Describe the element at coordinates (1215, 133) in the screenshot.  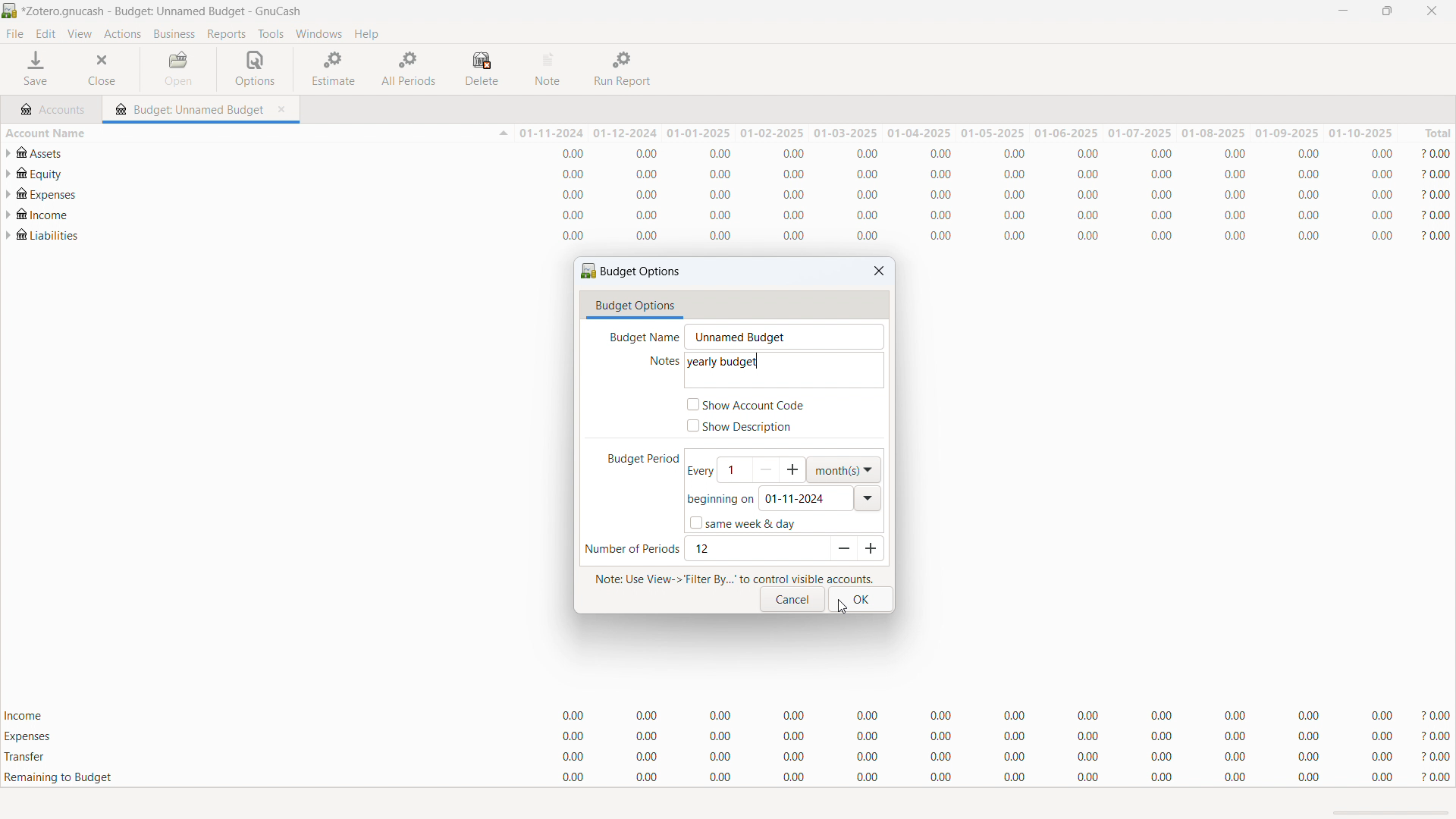
I see `01-08-2025` at that location.